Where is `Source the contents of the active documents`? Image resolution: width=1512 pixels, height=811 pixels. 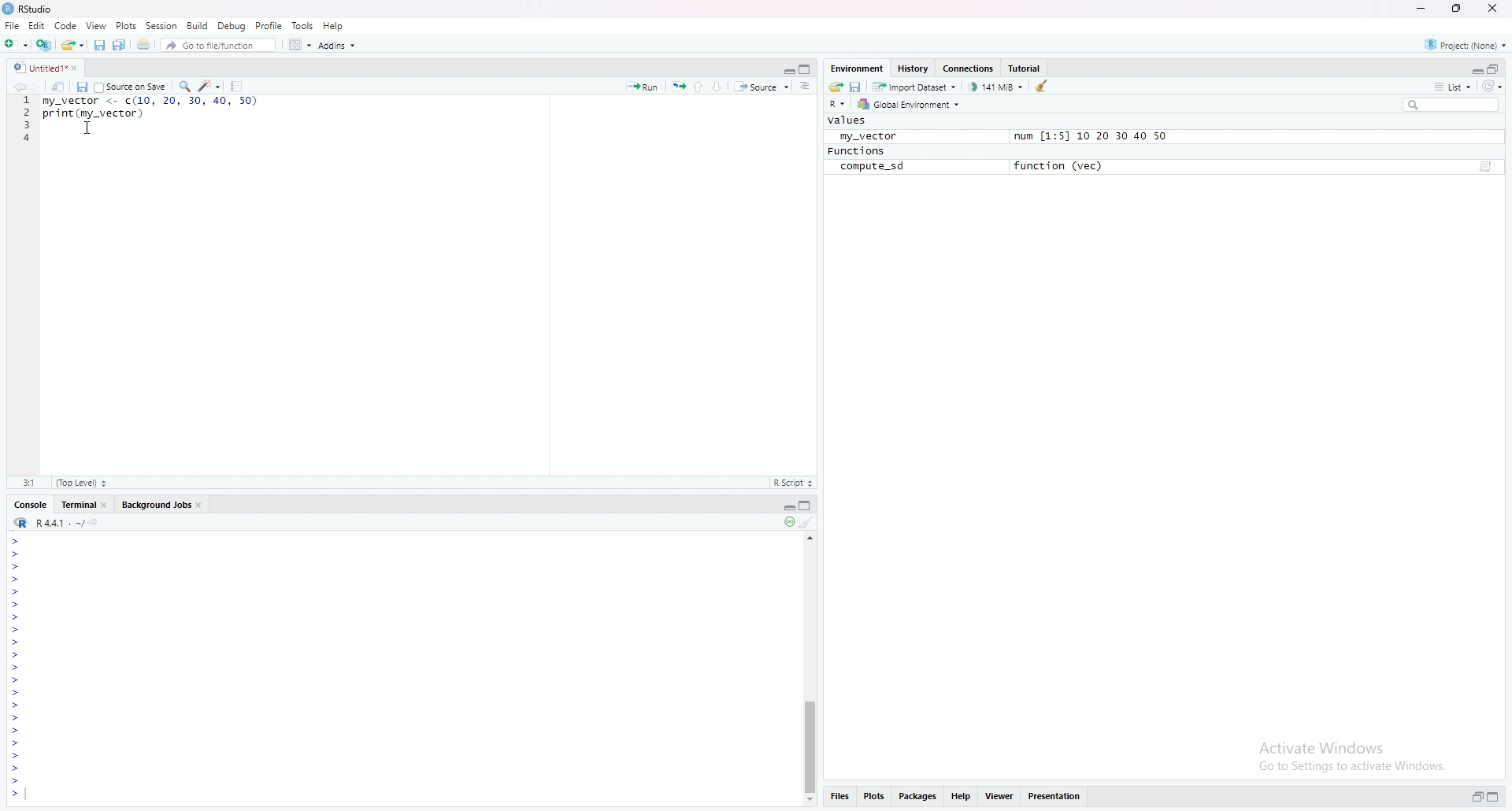 Source the contents of the active documents is located at coordinates (762, 87).